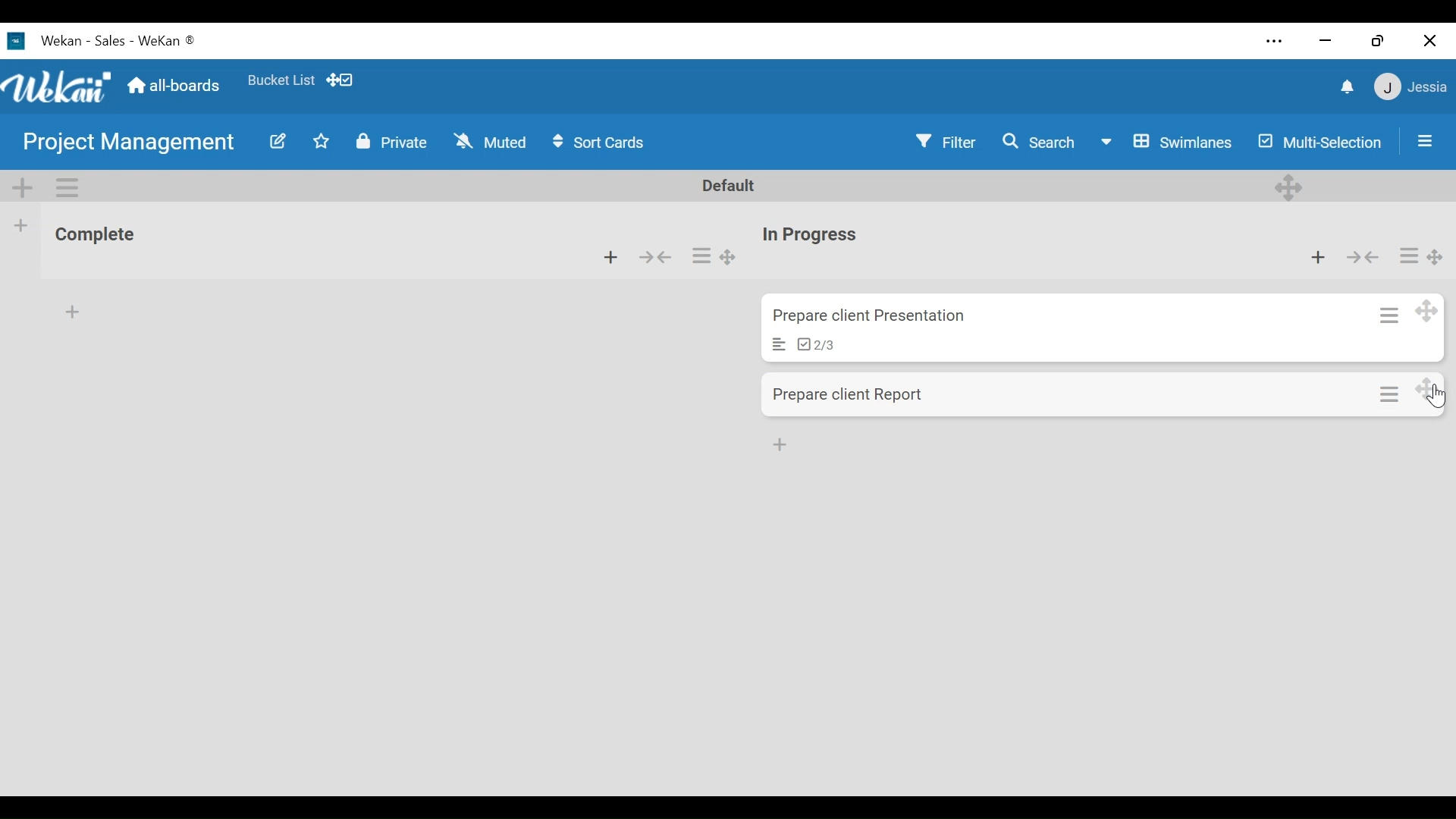 The image size is (1456, 819). Describe the element at coordinates (811, 236) in the screenshot. I see `List name` at that location.